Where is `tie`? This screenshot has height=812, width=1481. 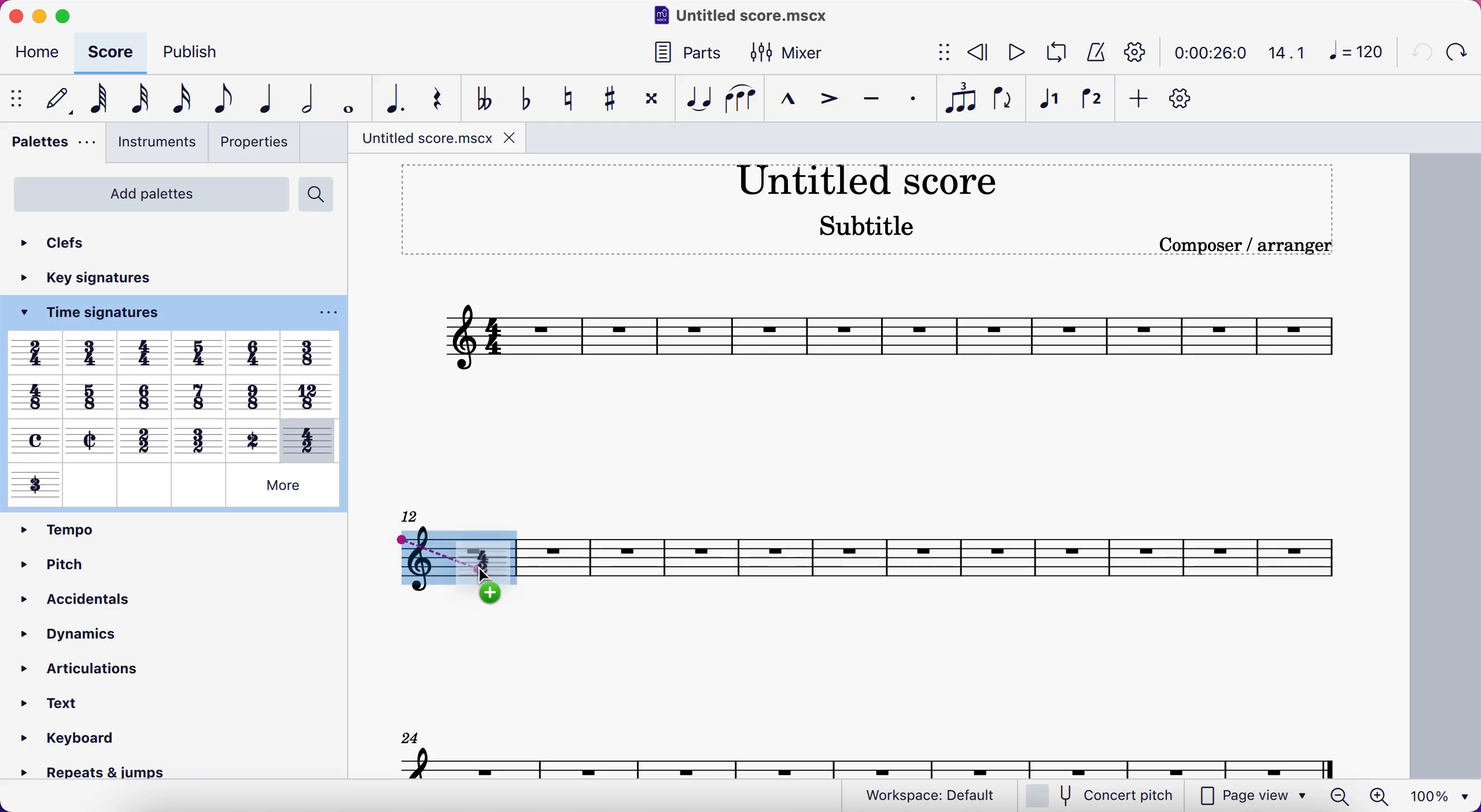 tie is located at coordinates (694, 97).